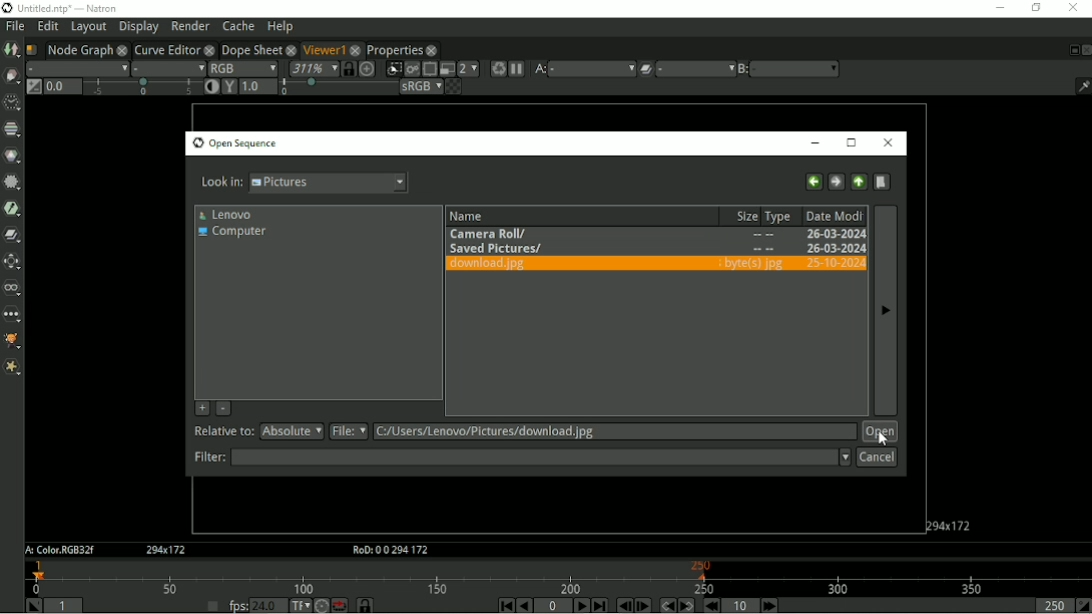  Describe the element at coordinates (1036, 9) in the screenshot. I see `Restore down` at that location.